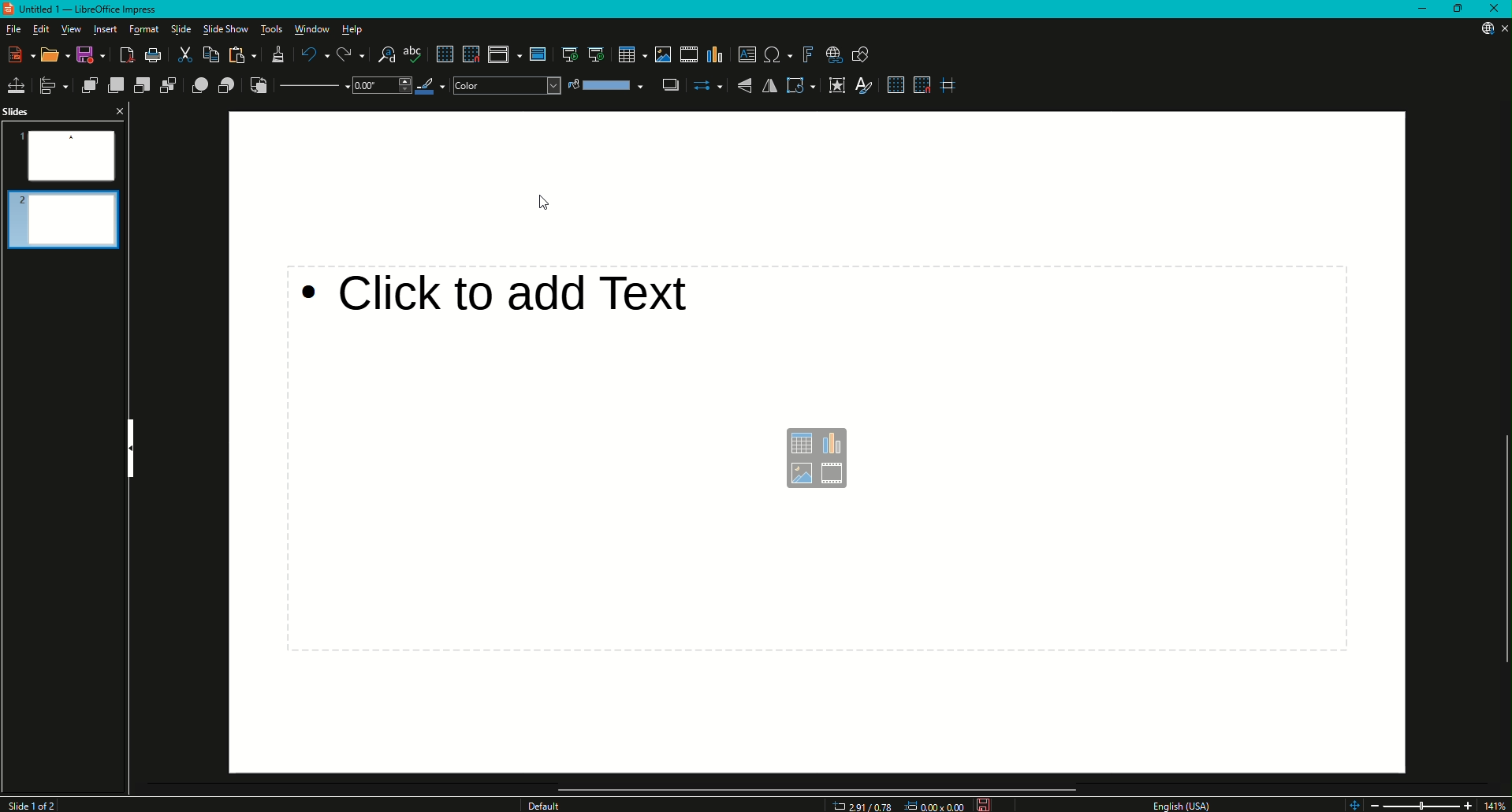  I want to click on Find and Replace, so click(379, 52).